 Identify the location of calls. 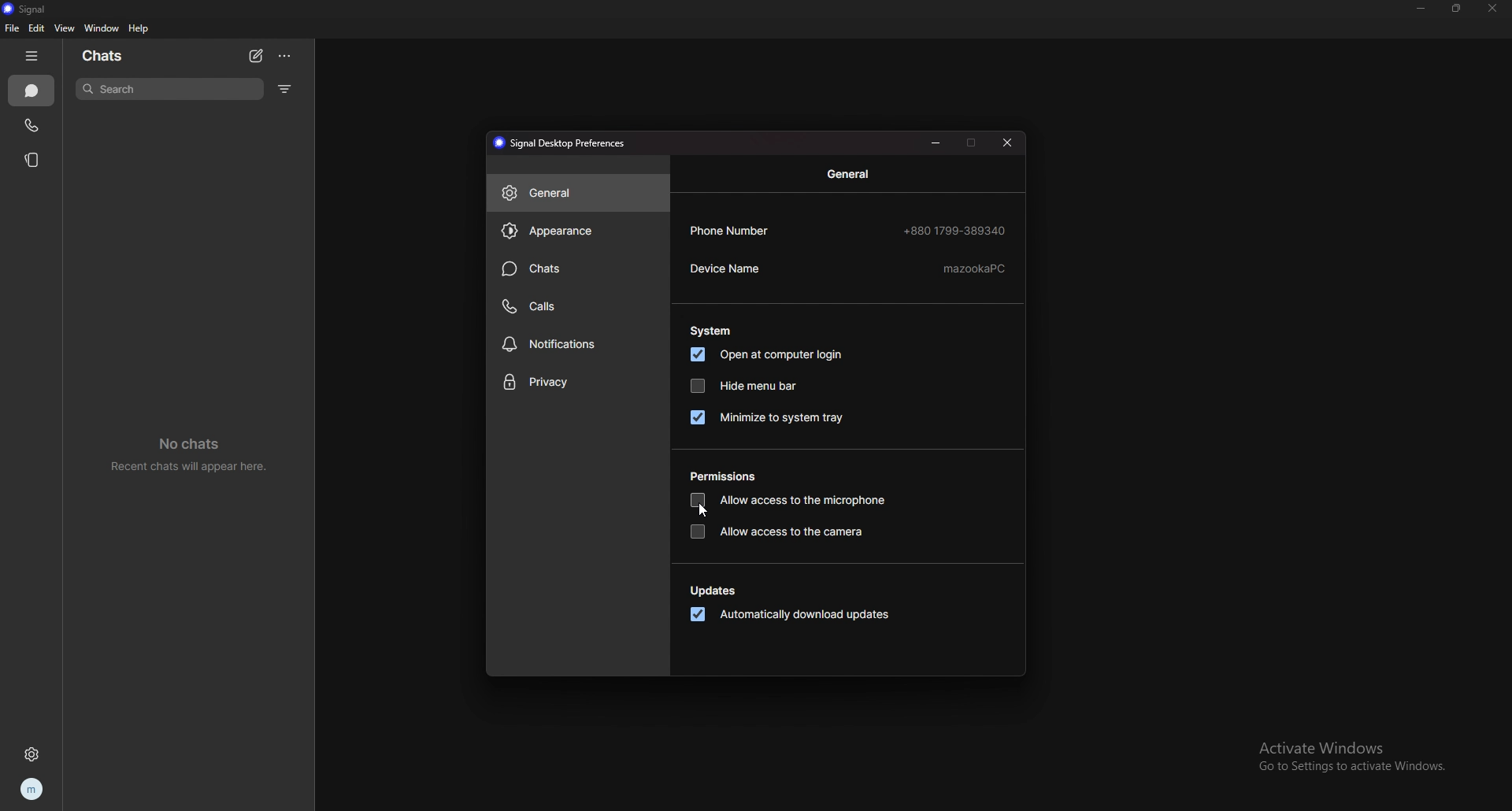
(576, 308).